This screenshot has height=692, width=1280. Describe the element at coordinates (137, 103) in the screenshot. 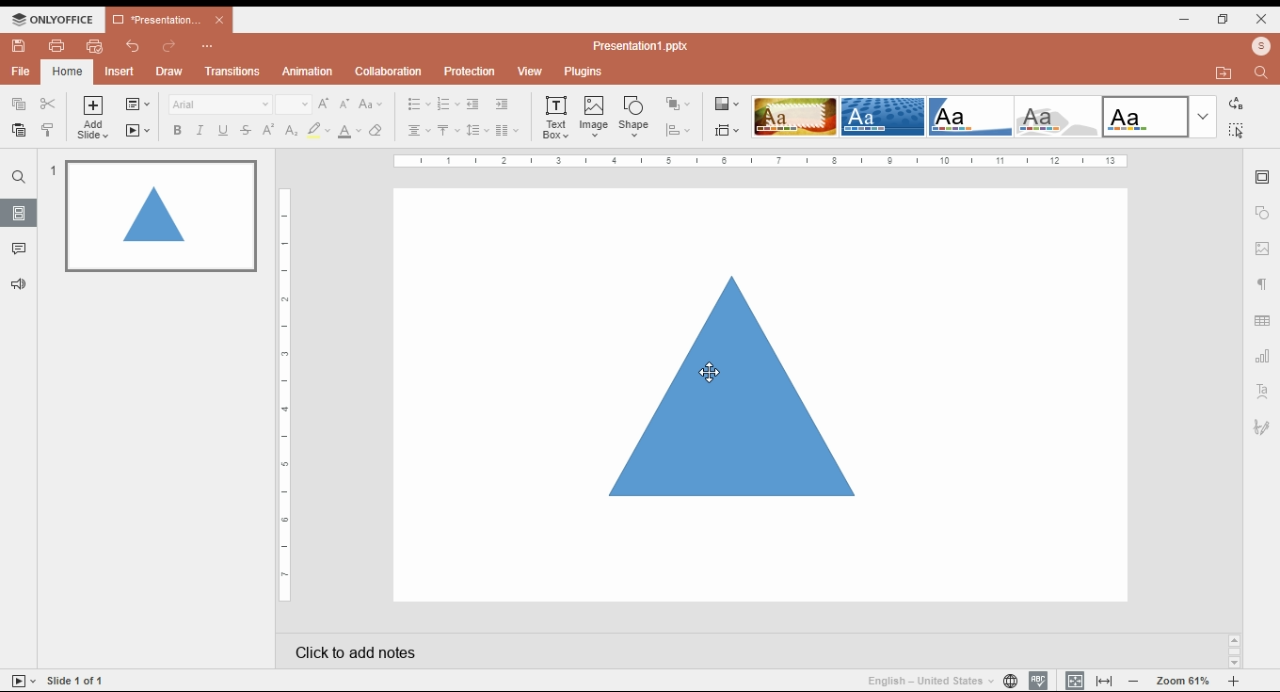

I see `change slide layout` at that location.